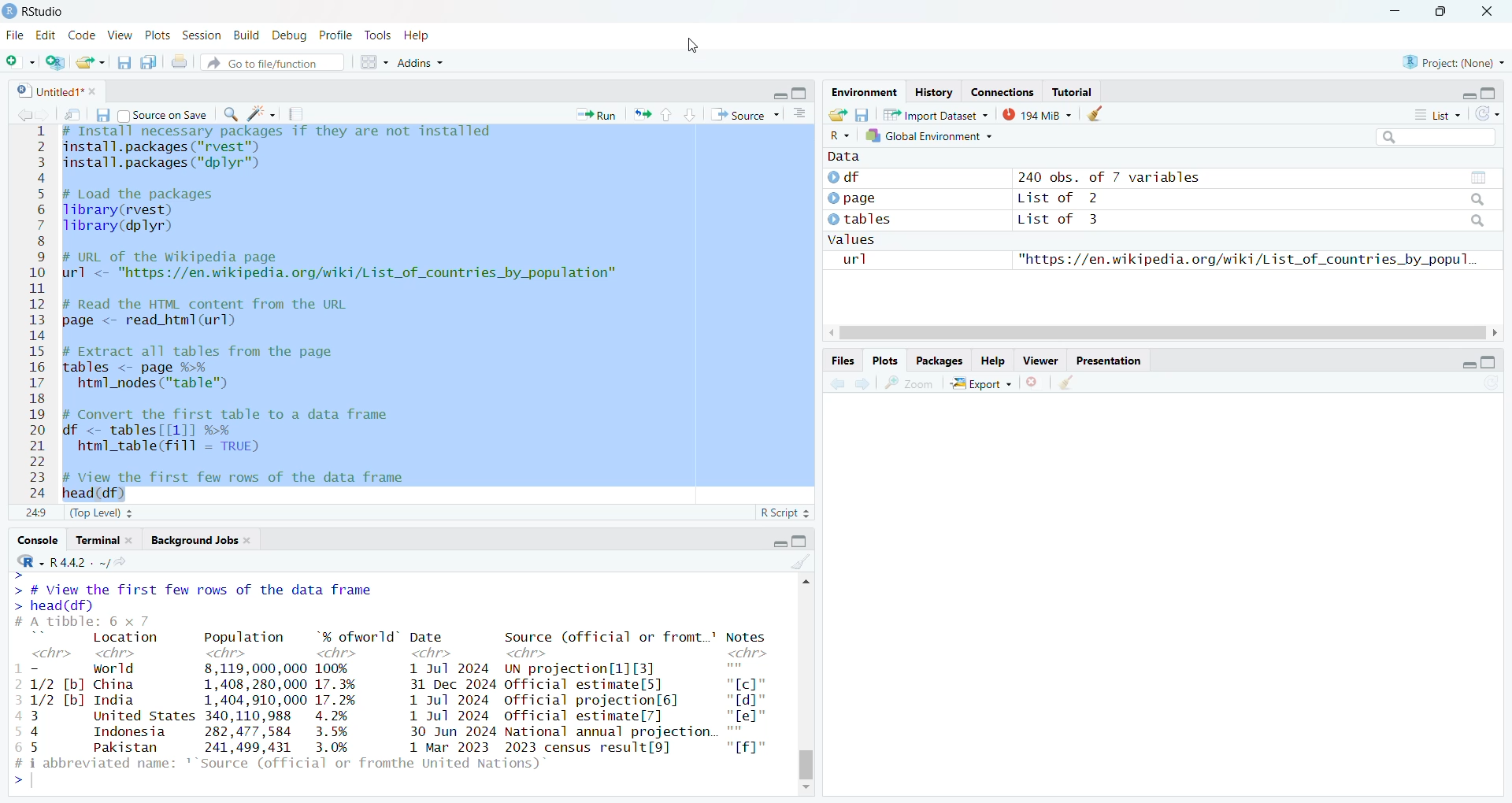 The width and height of the screenshot is (1512, 803). I want to click on back, so click(26, 115).